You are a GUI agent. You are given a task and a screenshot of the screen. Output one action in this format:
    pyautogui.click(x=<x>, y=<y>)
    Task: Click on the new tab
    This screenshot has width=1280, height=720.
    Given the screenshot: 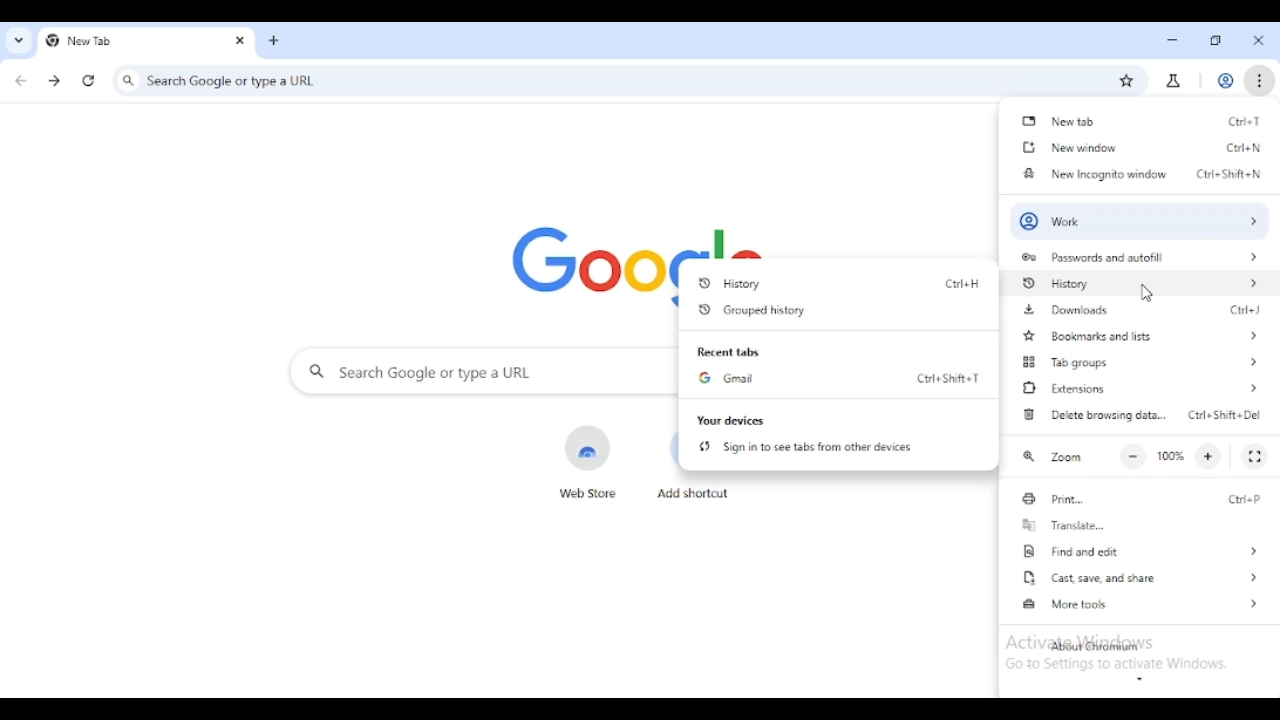 What is the action you would take?
    pyautogui.click(x=125, y=40)
    